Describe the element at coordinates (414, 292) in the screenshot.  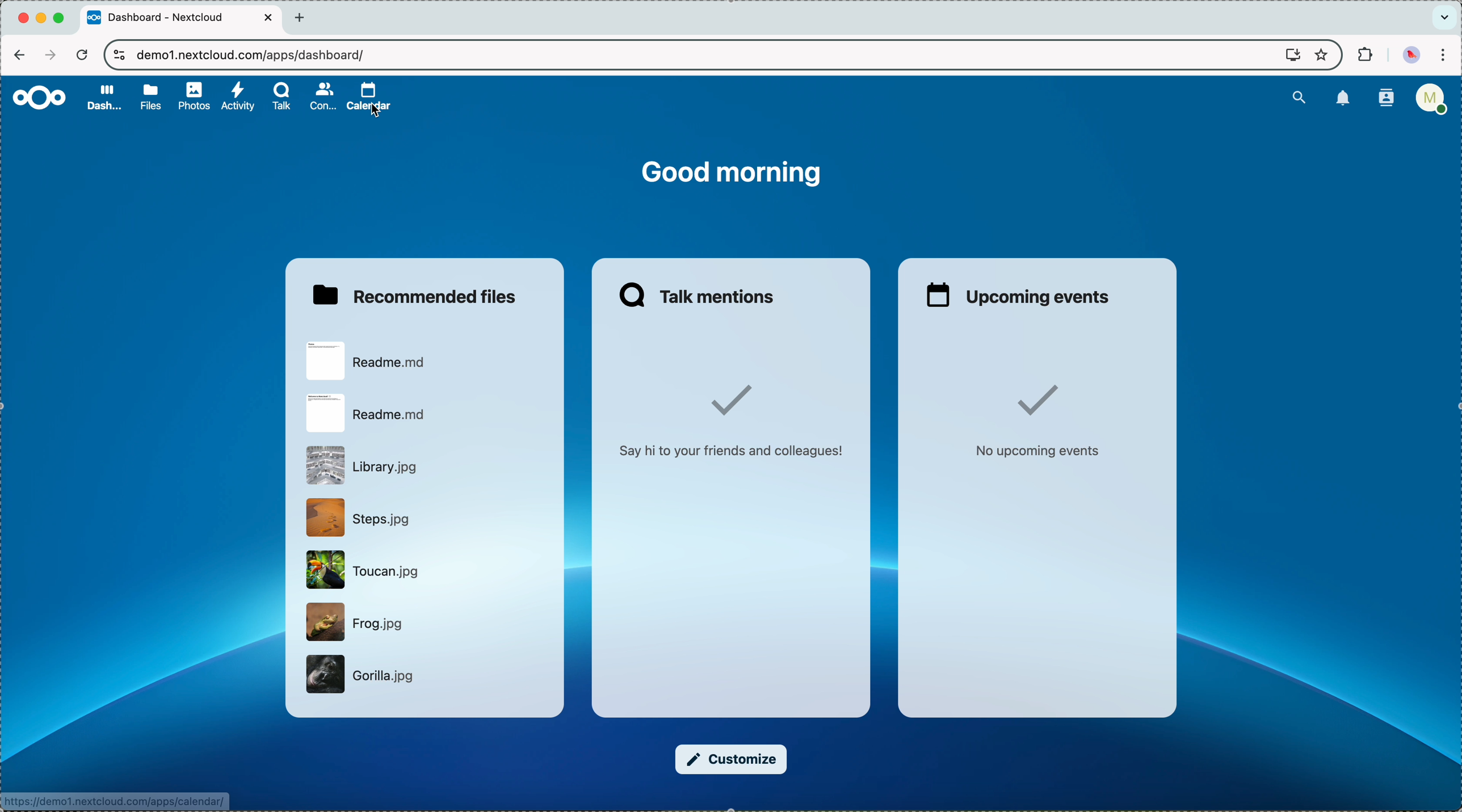
I see `recommended files` at that location.